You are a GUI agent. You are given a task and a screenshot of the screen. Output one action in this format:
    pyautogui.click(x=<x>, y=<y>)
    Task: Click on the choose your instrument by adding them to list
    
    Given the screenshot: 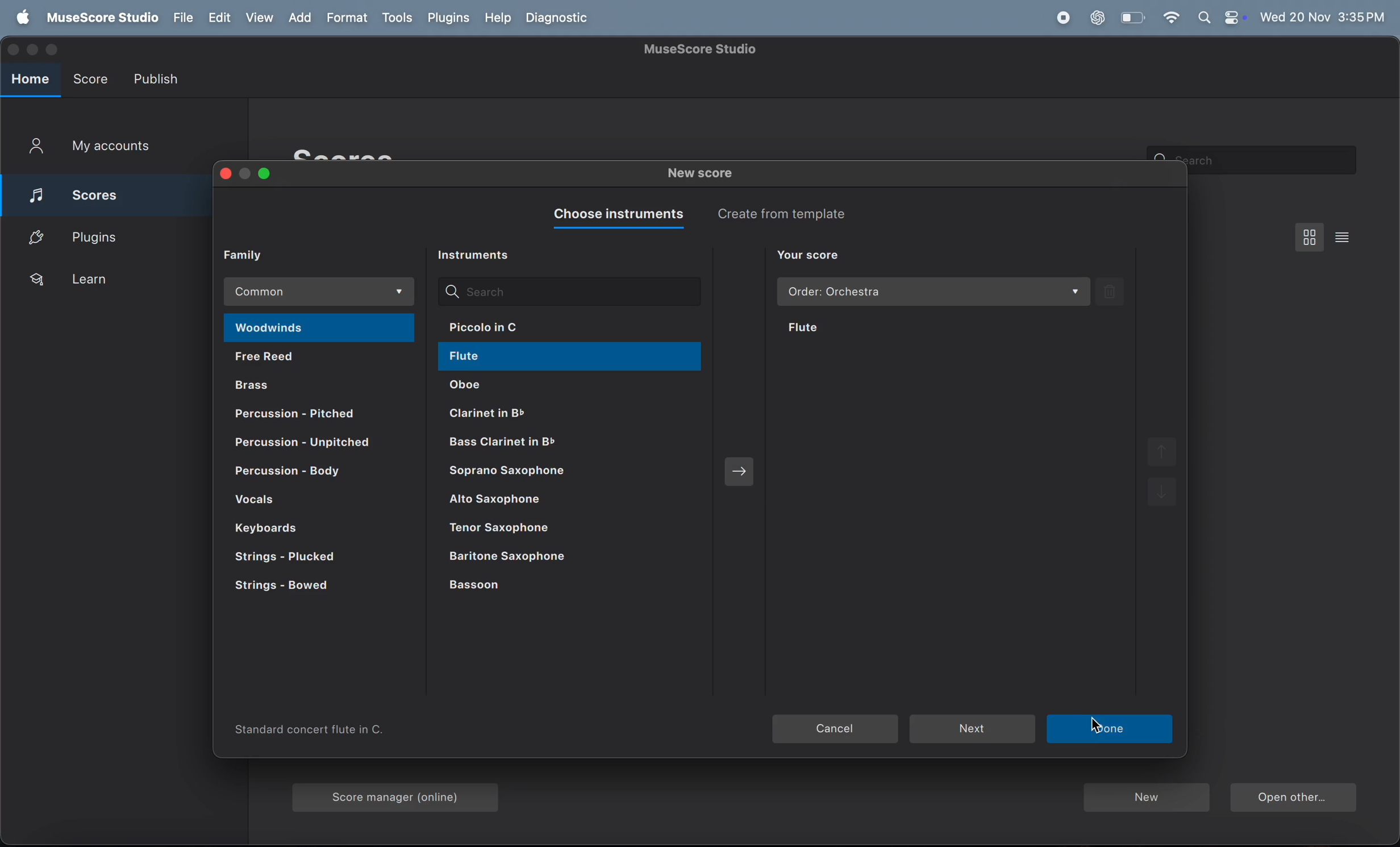 What is the action you would take?
    pyautogui.click(x=957, y=514)
    